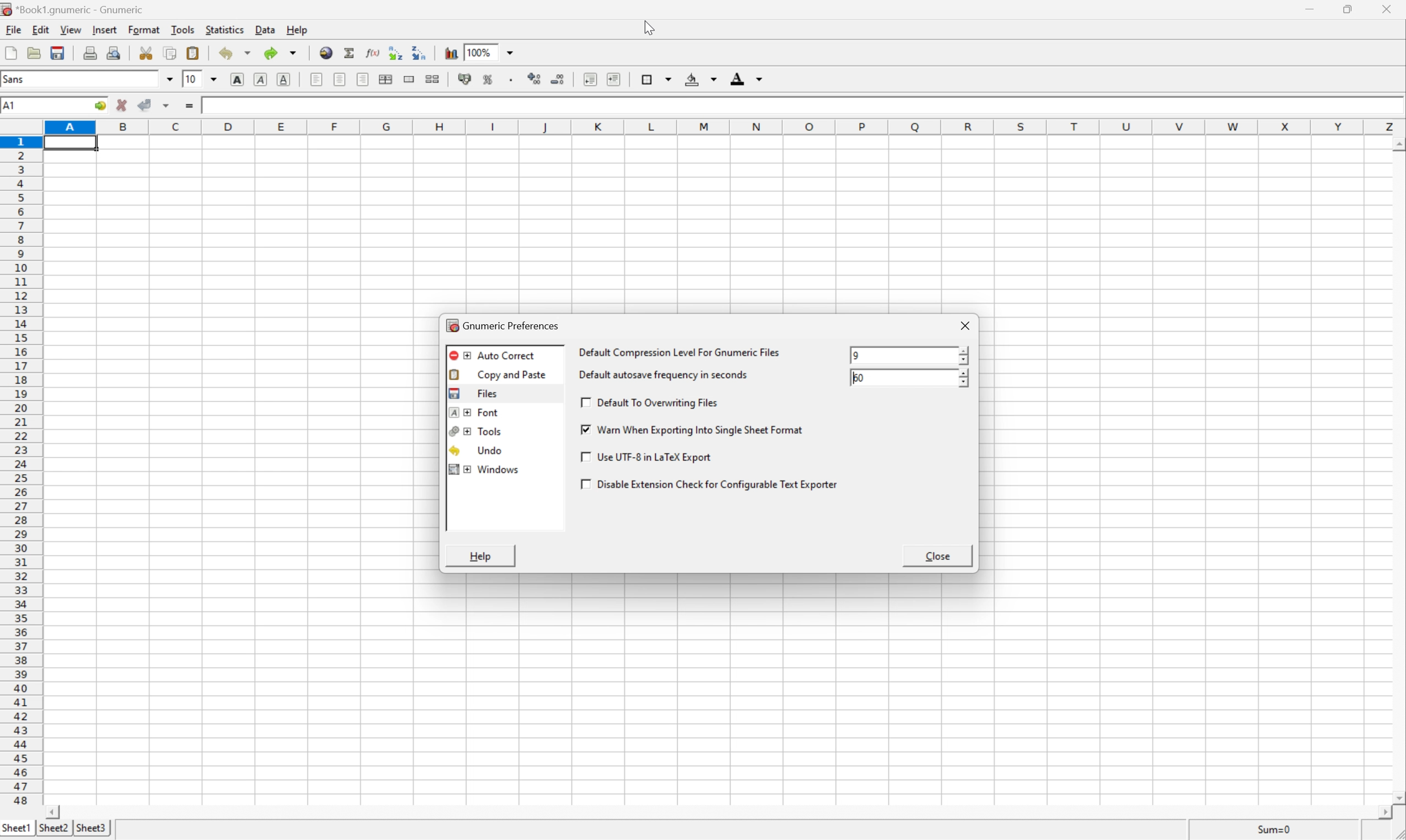 The height and width of the screenshot is (840, 1406). Describe the element at coordinates (713, 483) in the screenshot. I see `disable extension check for configurable text exporter` at that location.